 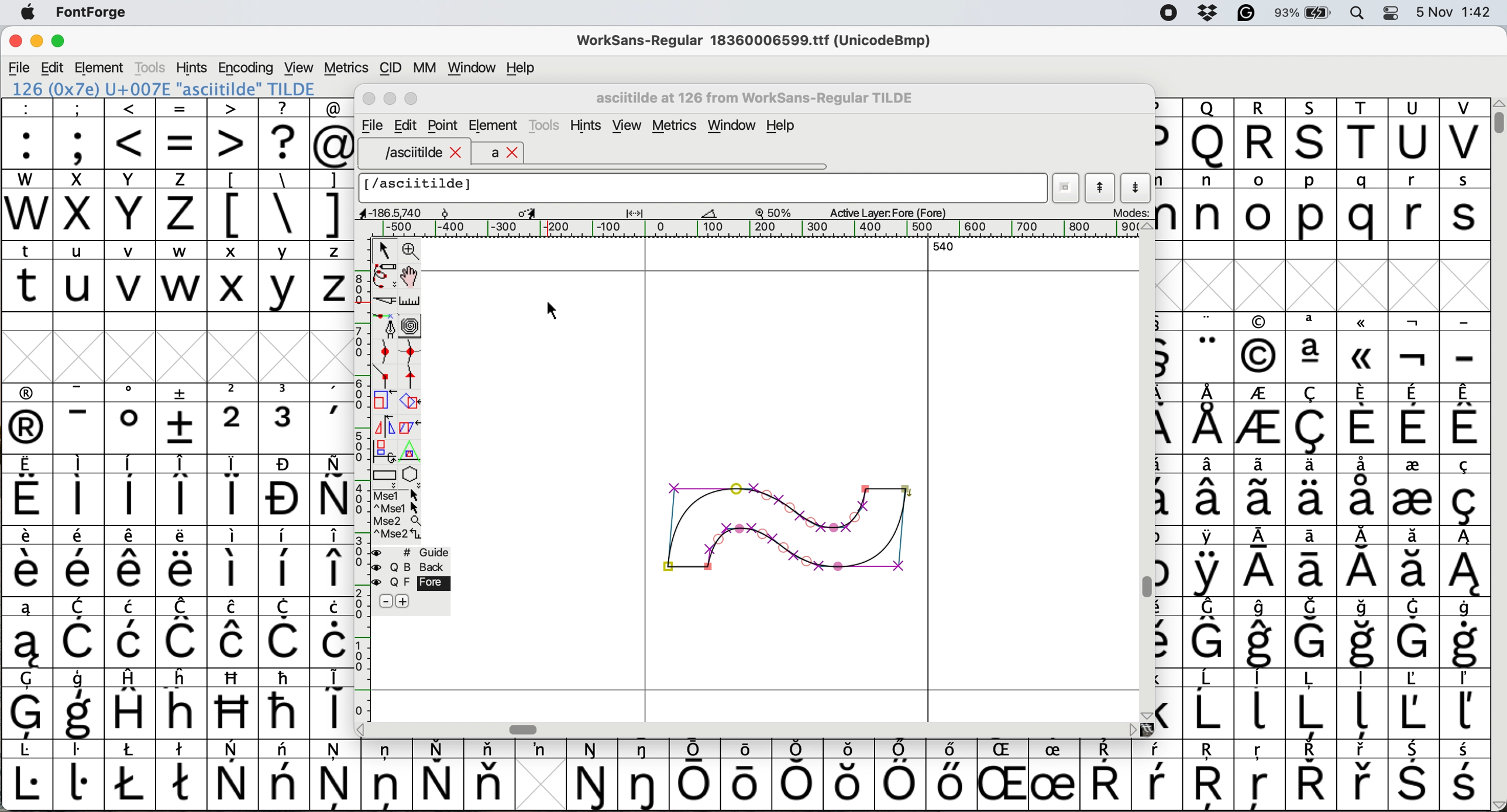 I want to click on add a curve point, so click(x=386, y=352).